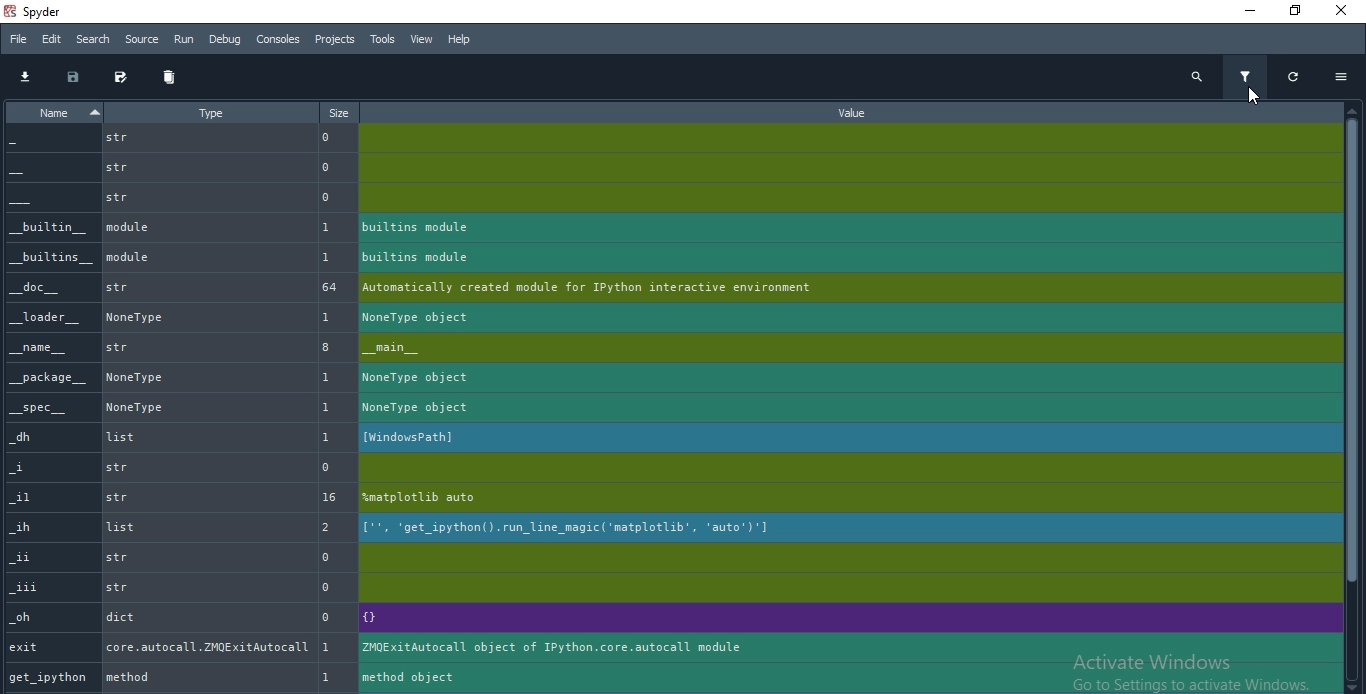 This screenshot has height=694, width=1366. What do you see at coordinates (1344, 11) in the screenshot?
I see `Close` at bounding box center [1344, 11].